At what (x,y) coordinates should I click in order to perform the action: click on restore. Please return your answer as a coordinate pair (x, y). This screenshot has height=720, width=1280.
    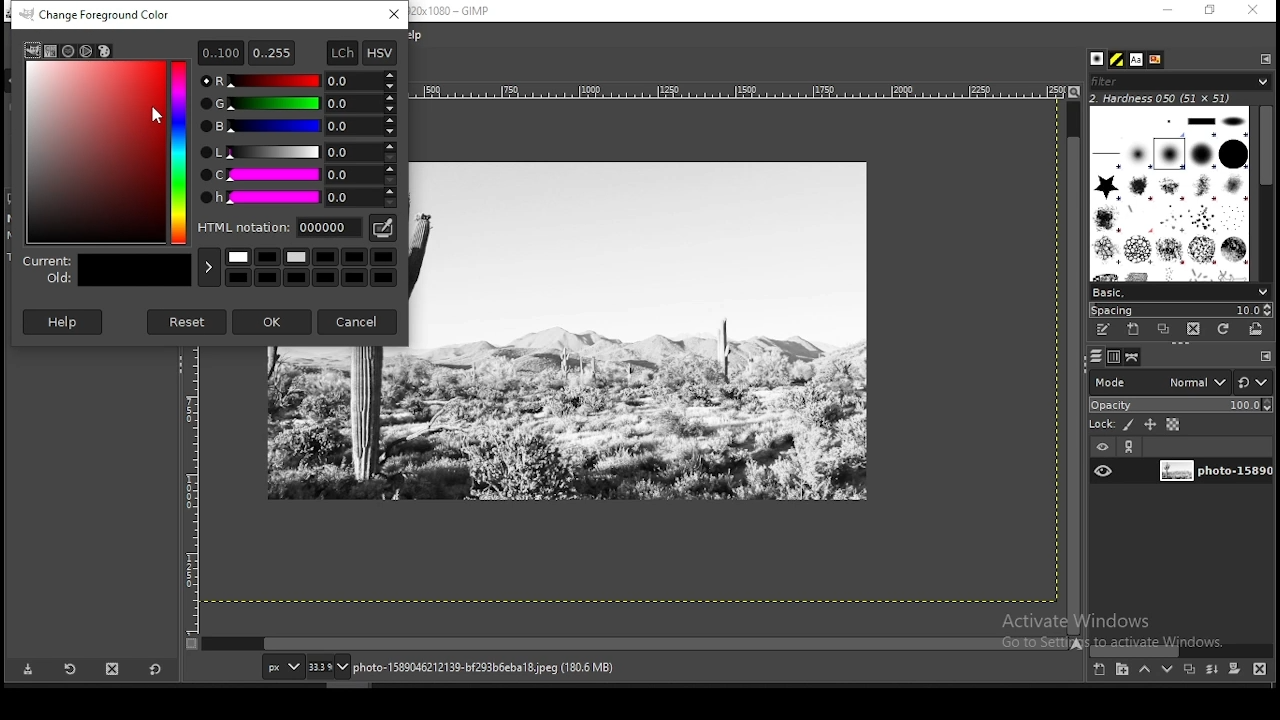
    Looking at the image, I should click on (1211, 10).